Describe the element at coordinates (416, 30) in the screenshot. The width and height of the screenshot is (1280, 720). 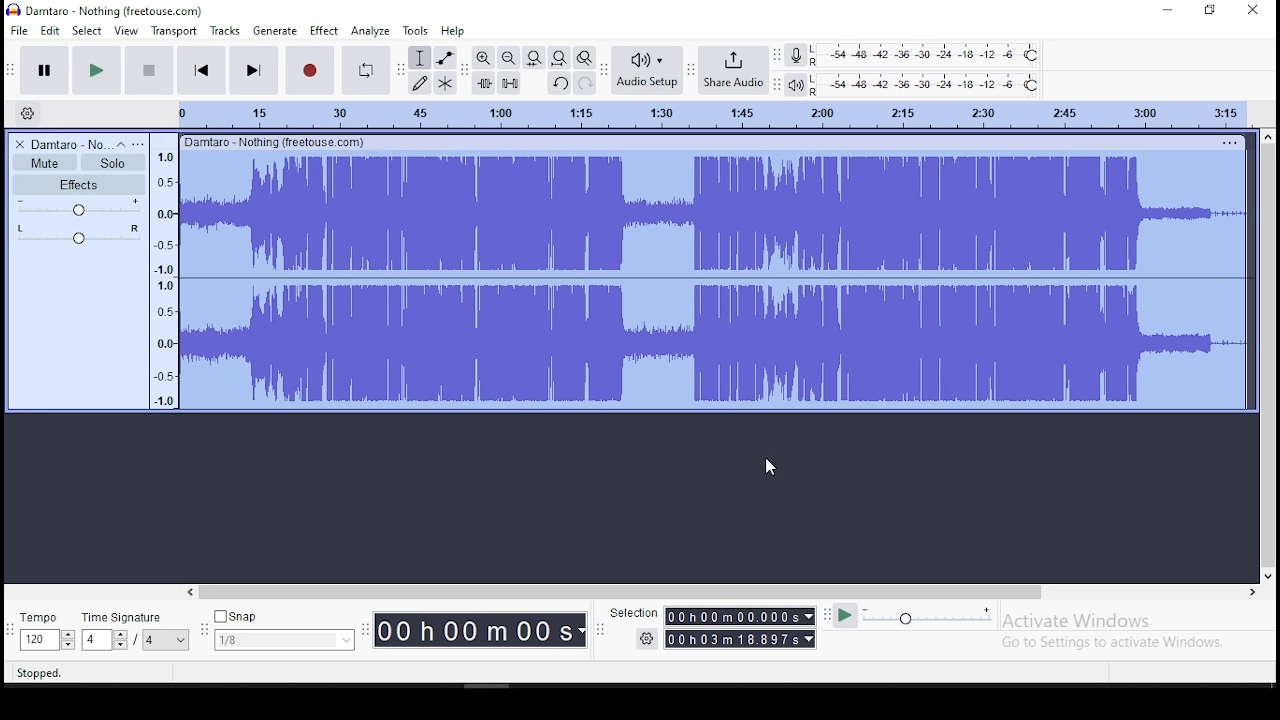
I see `tools` at that location.